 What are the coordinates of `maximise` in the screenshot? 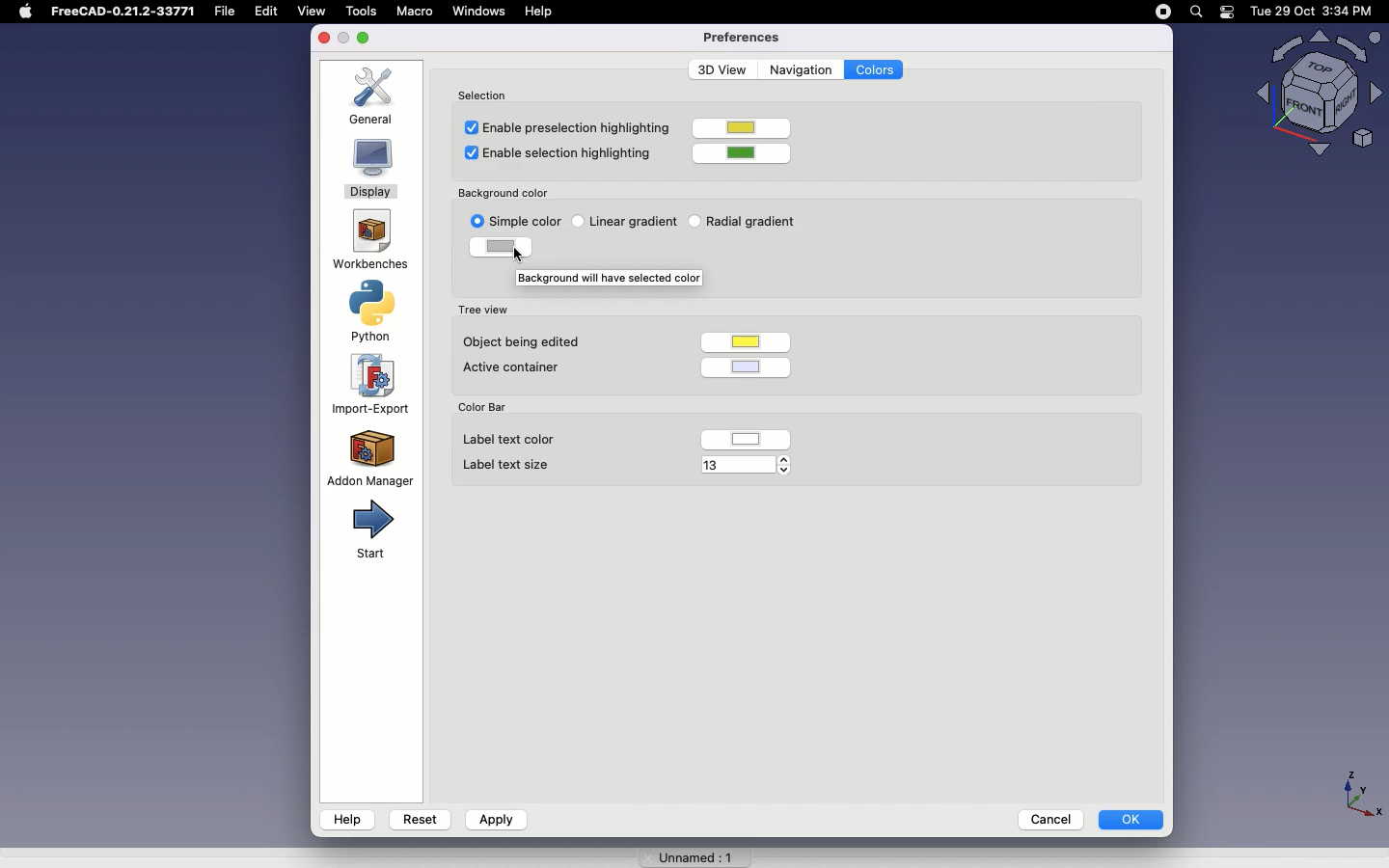 It's located at (367, 38).